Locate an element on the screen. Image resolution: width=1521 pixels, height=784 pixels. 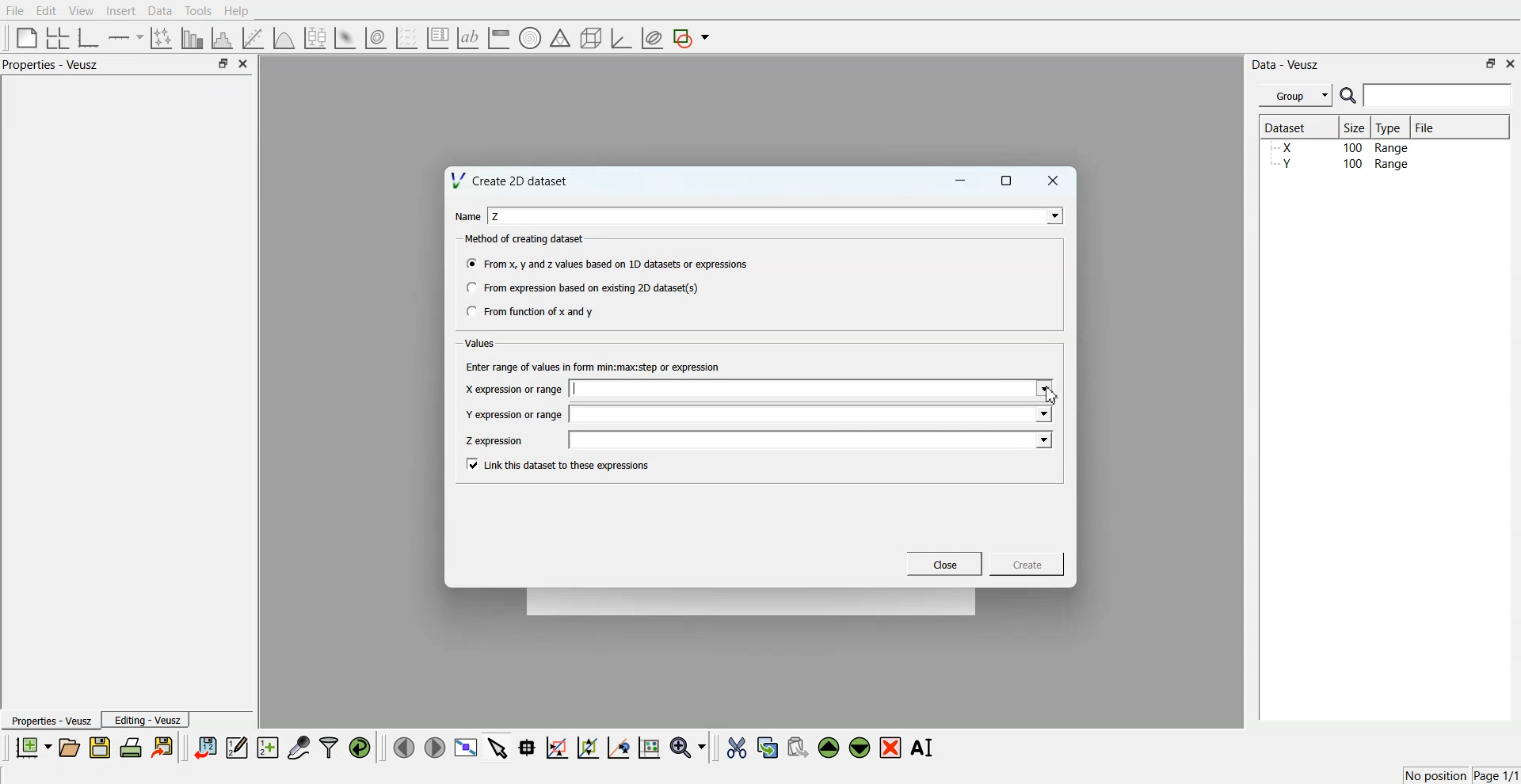
Arrange graph in grid is located at coordinates (58, 39).